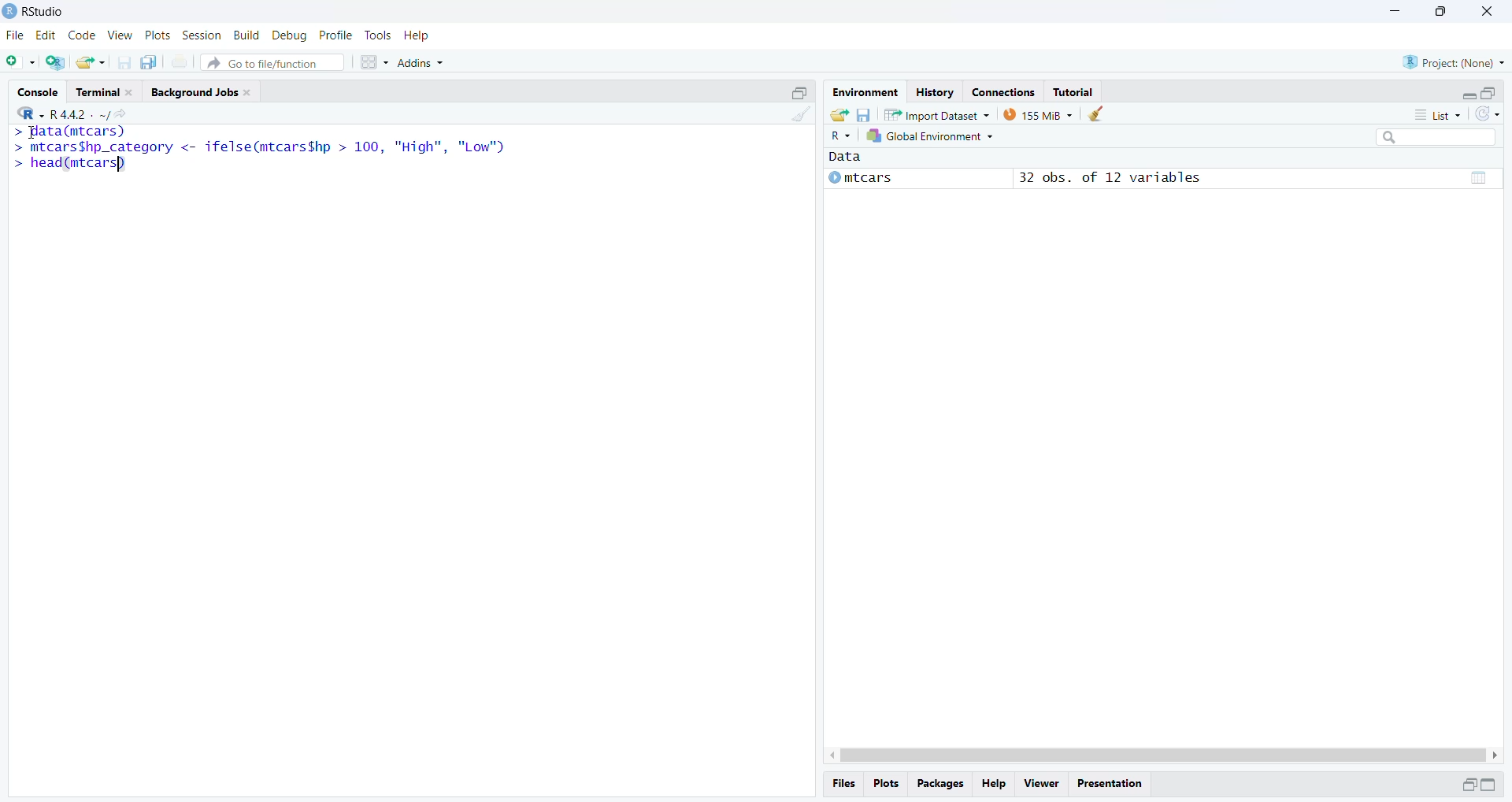 The width and height of the screenshot is (1512, 802). Describe the element at coordinates (204, 92) in the screenshot. I see `Background Jobs` at that location.